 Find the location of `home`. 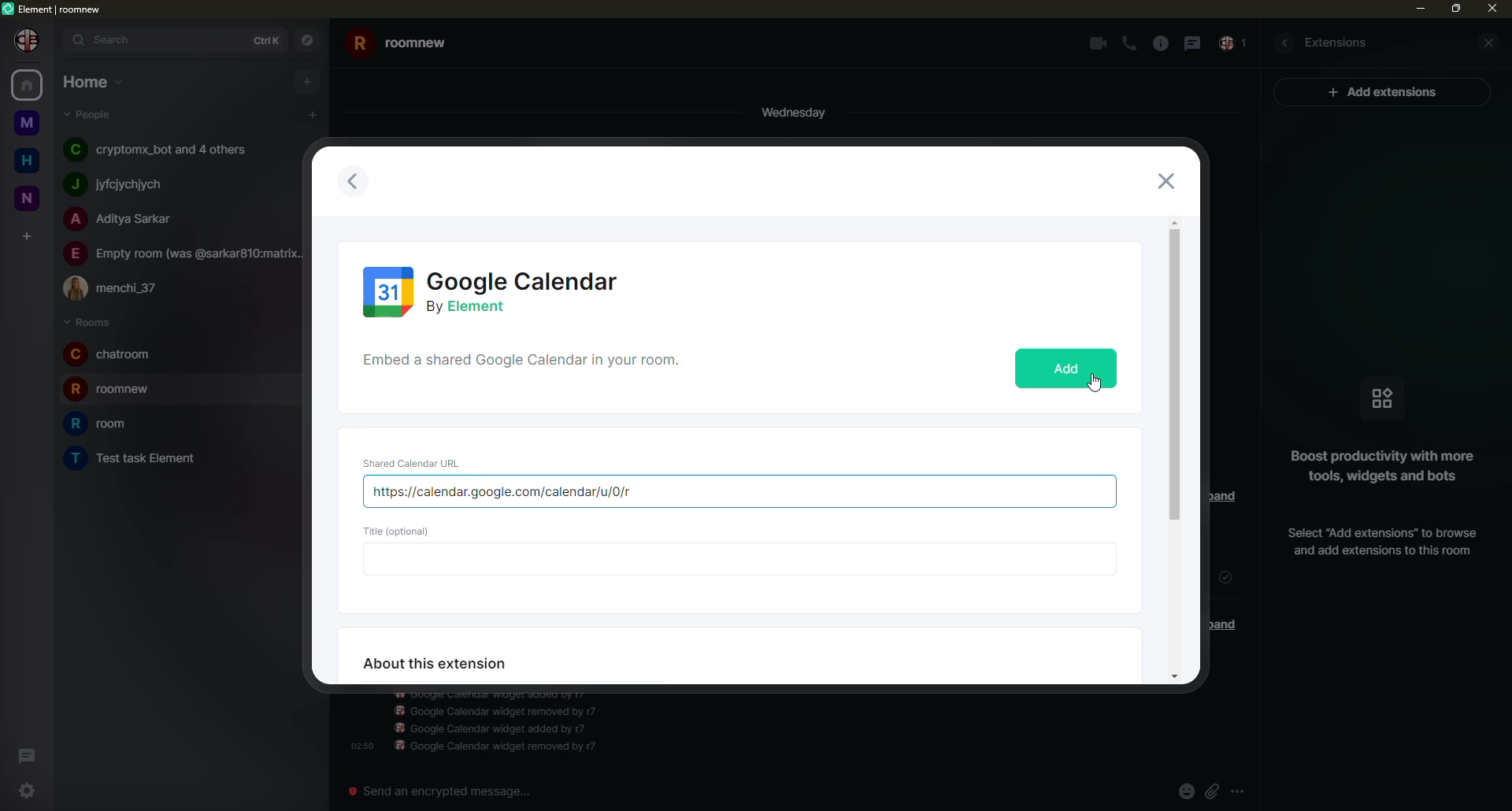

home is located at coordinates (28, 161).